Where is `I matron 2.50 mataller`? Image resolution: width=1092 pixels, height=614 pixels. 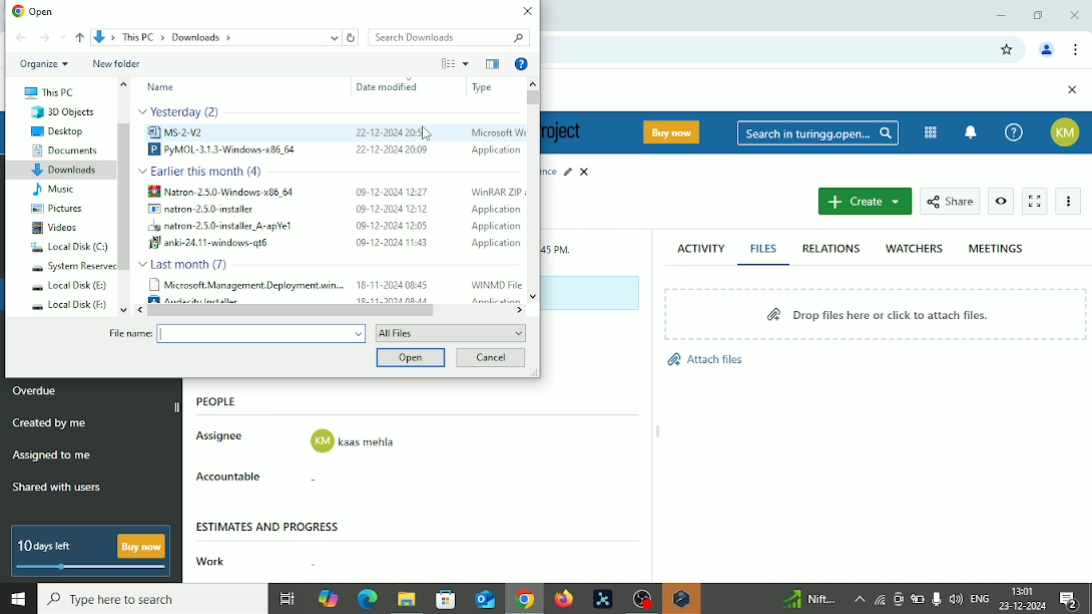
I matron 2.50 mataller is located at coordinates (209, 209).